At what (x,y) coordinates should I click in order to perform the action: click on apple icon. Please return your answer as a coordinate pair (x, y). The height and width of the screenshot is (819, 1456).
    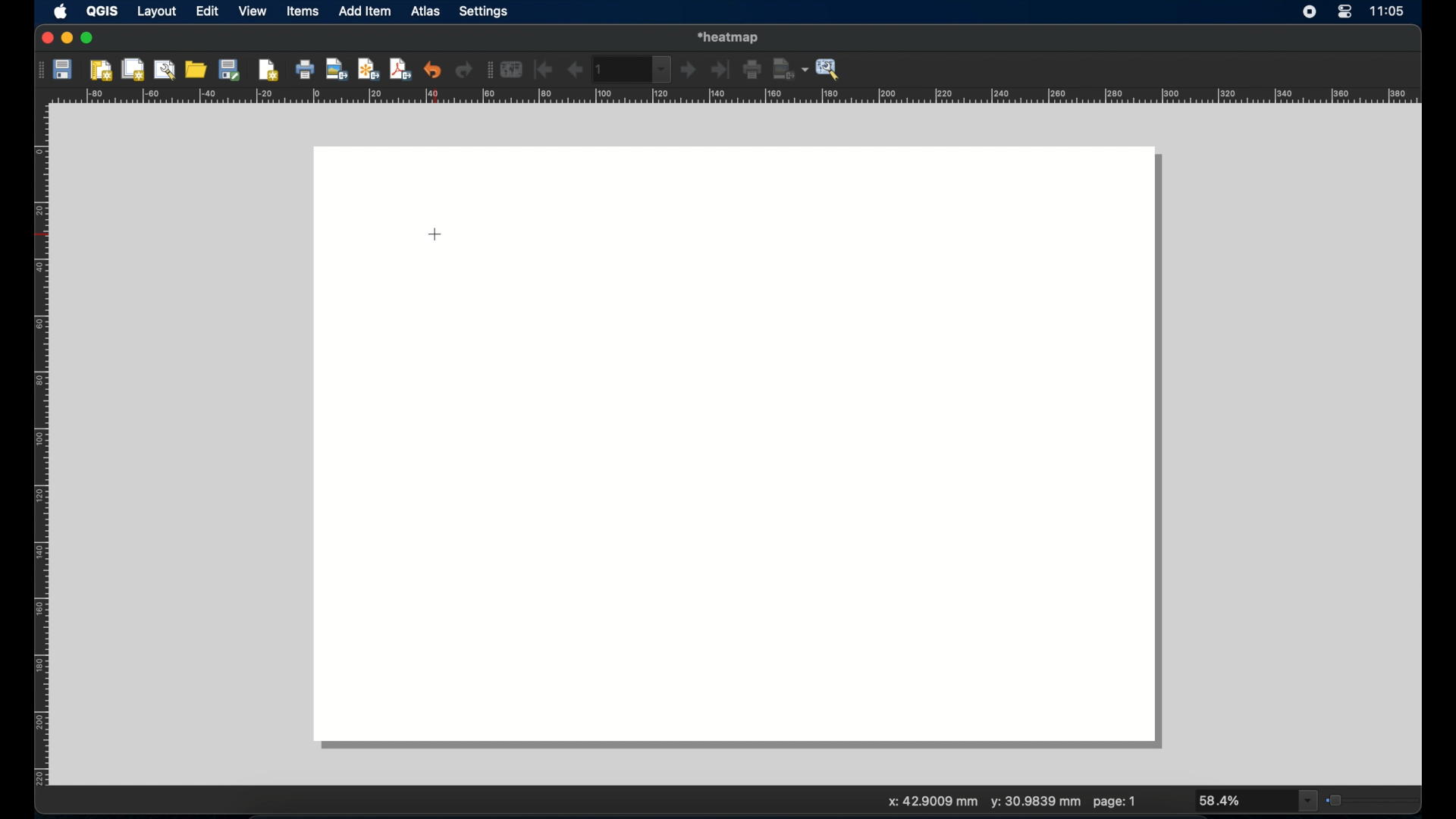
    Looking at the image, I should click on (59, 11).